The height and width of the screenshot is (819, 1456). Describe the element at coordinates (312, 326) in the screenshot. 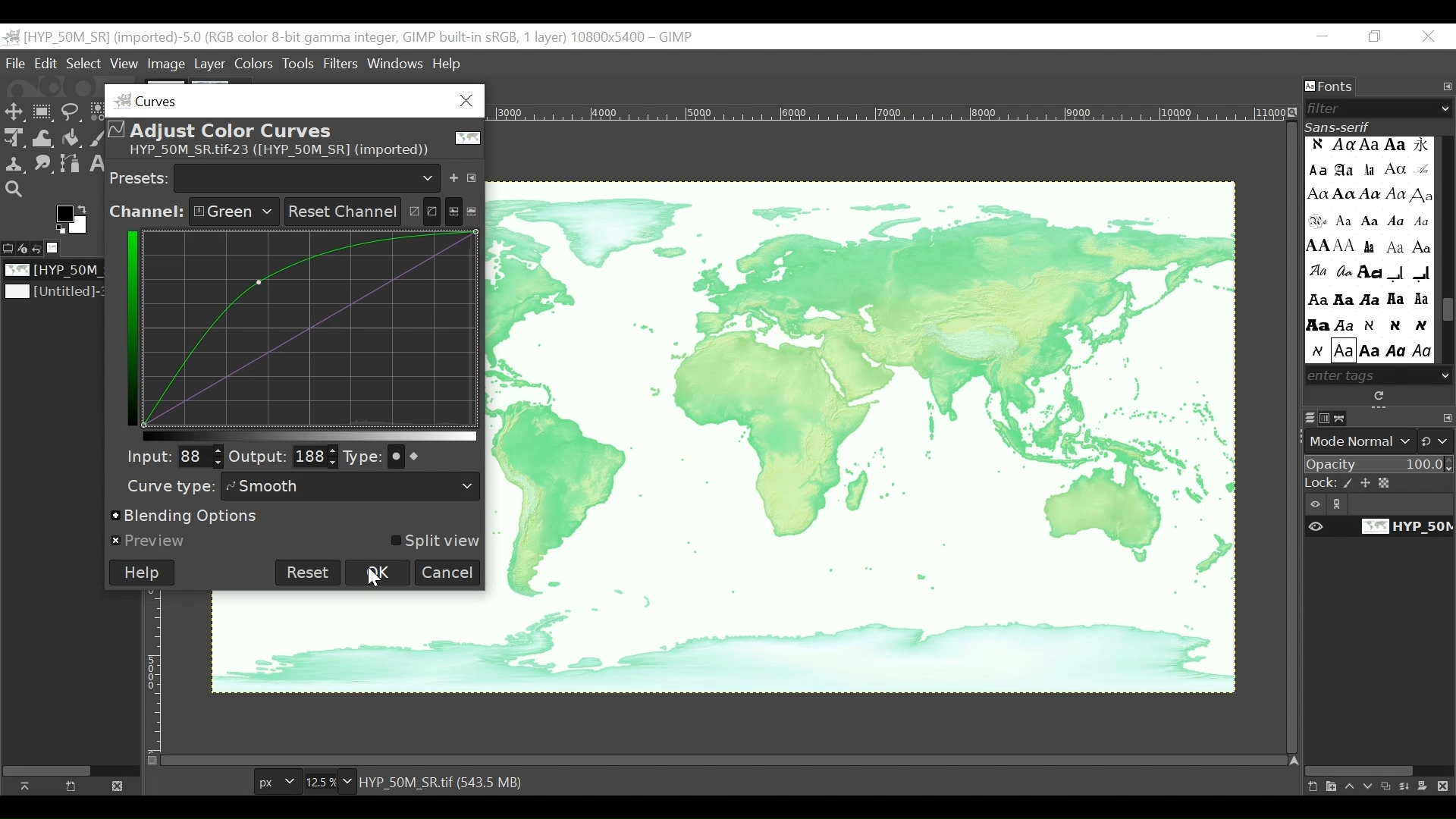

I see `Coordinates` at that location.